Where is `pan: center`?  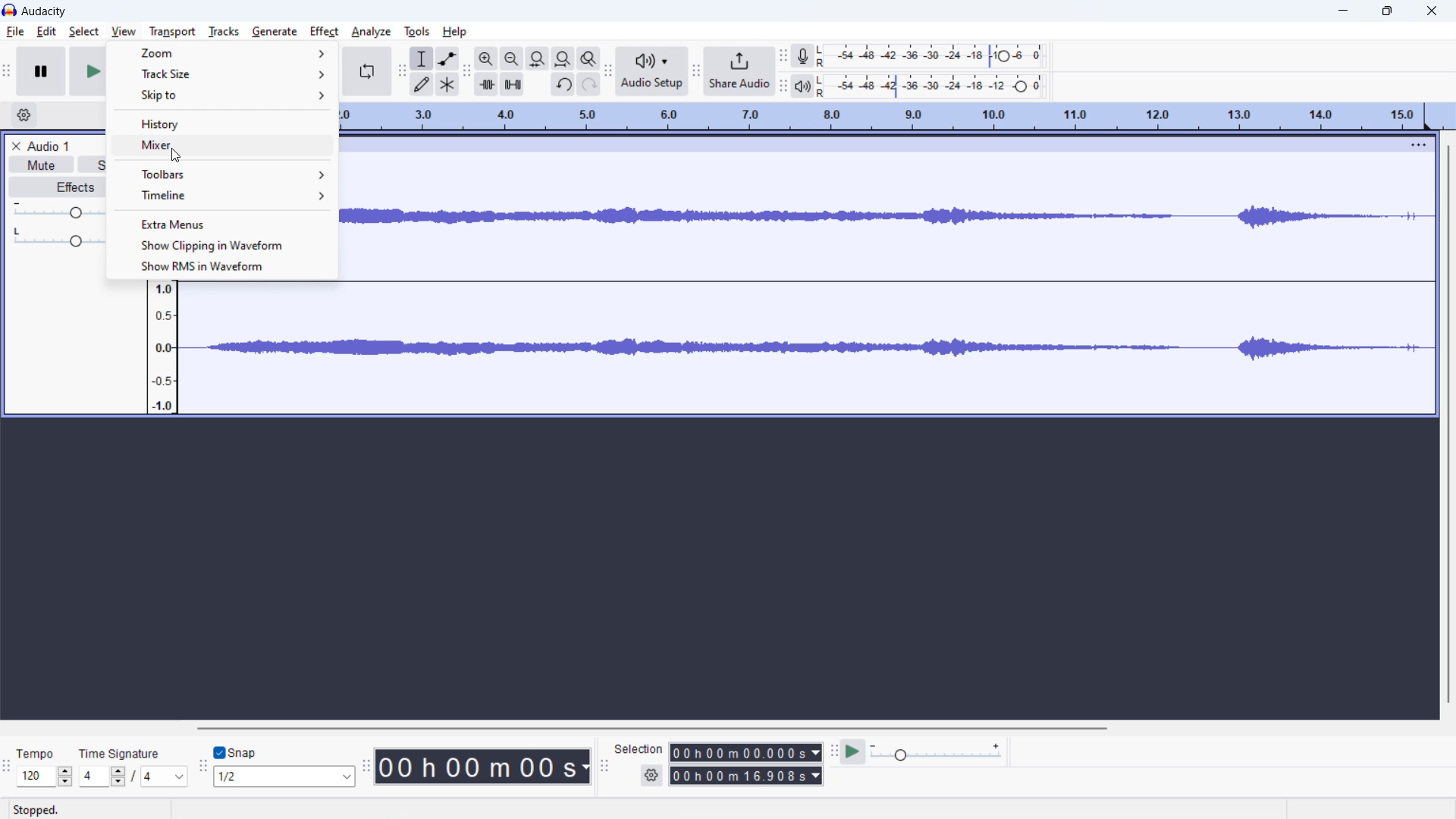
pan: center is located at coordinates (55, 239).